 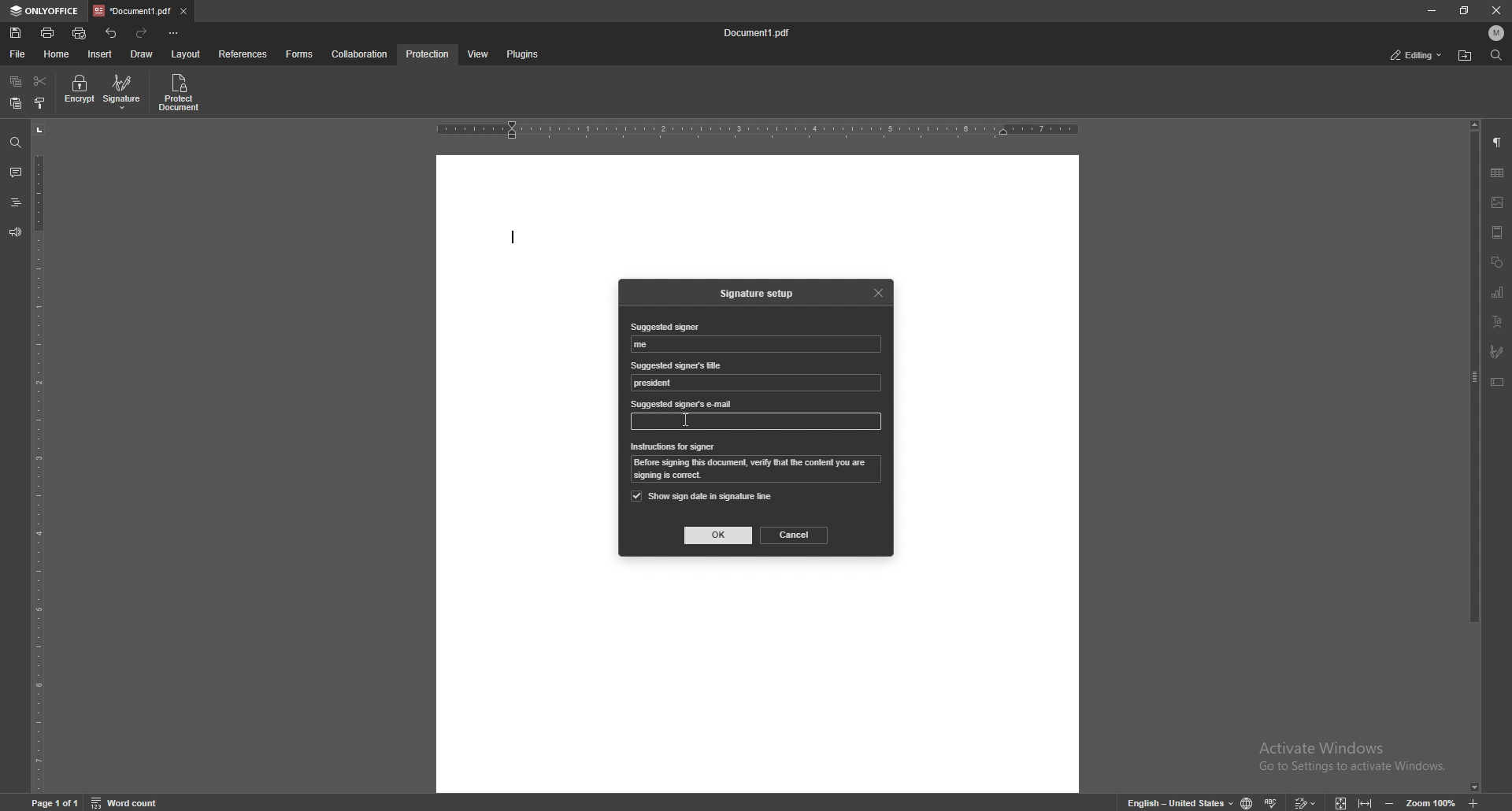 What do you see at coordinates (758, 470) in the screenshot?
I see `instruction` at bounding box center [758, 470].